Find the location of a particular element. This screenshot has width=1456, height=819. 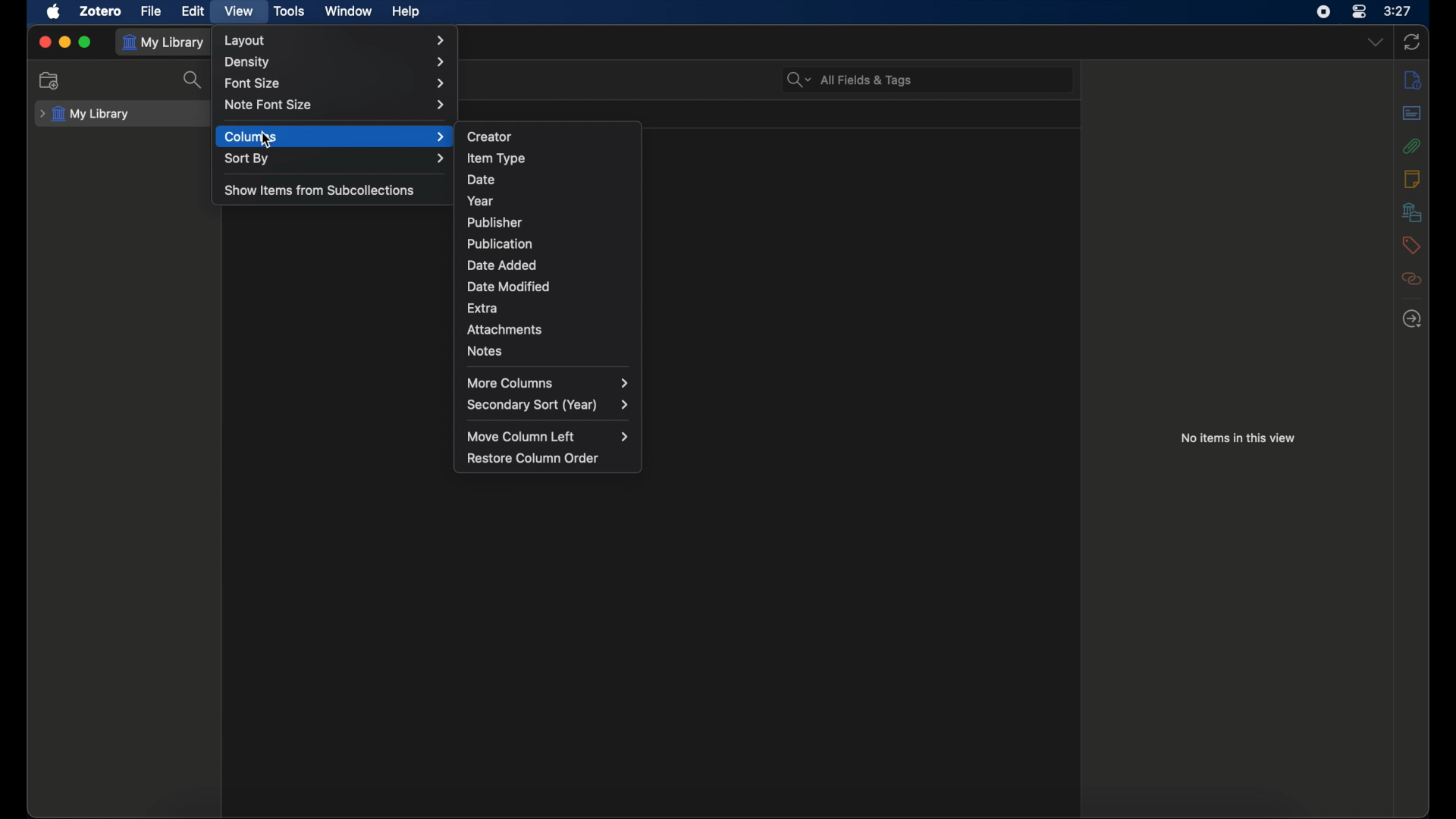

sync is located at coordinates (1412, 42).